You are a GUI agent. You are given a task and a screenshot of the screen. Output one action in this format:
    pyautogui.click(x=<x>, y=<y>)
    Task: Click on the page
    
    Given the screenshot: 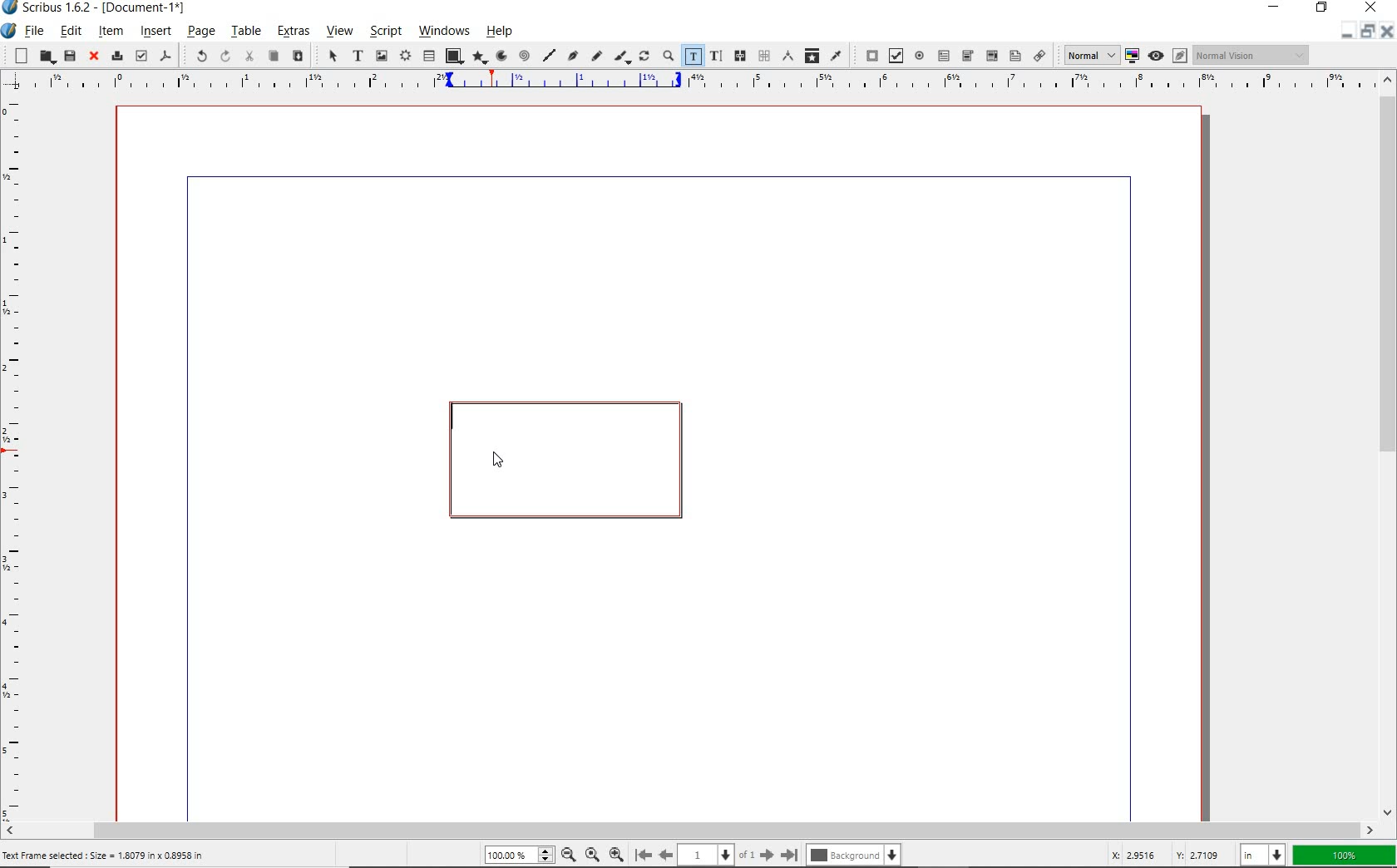 What is the action you would take?
    pyautogui.click(x=200, y=33)
    